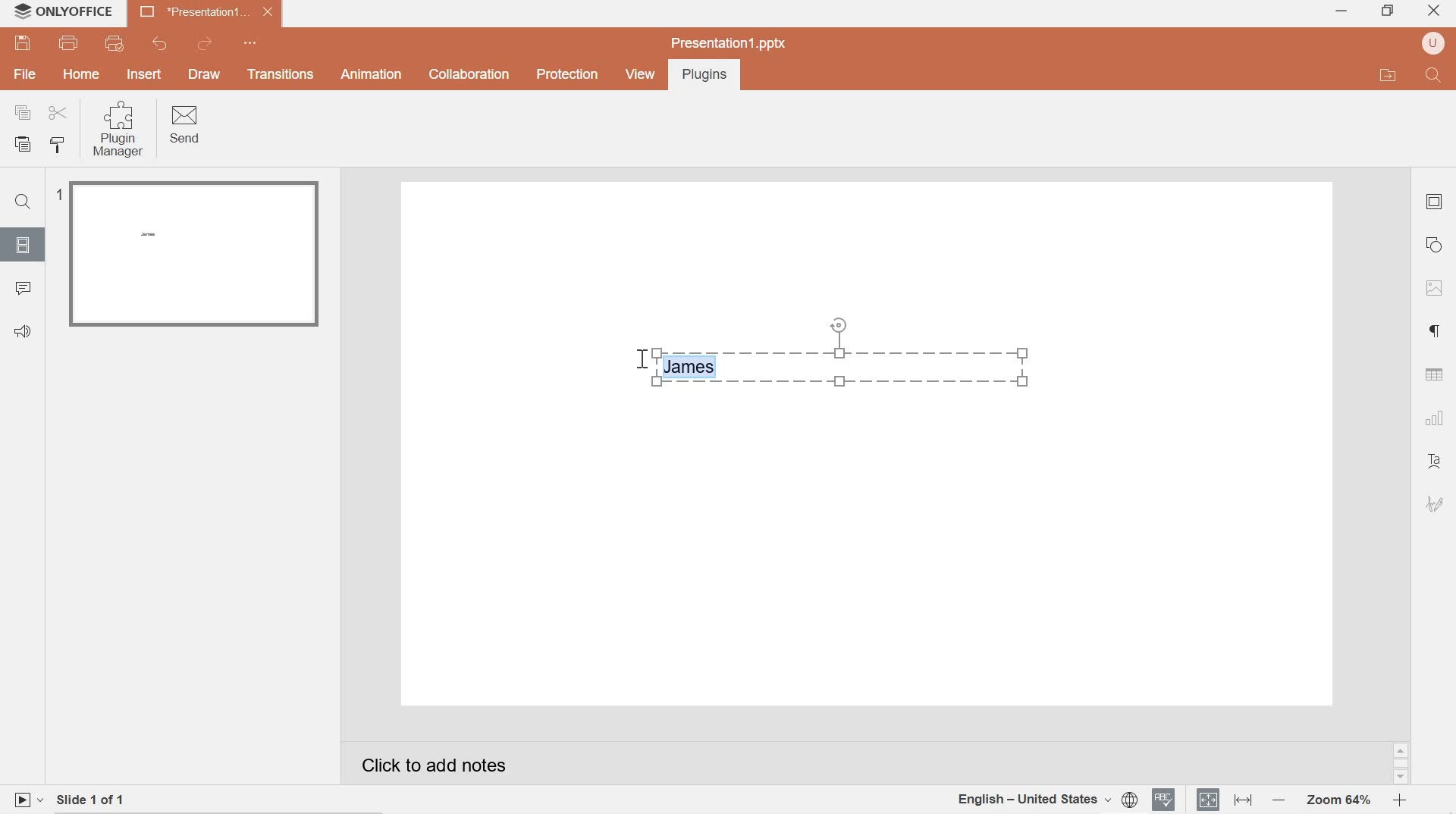  What do you see at coordinates (104, 797) in the screenshot?
I see `slide 1 of 1` at bounding box center [104, 797].